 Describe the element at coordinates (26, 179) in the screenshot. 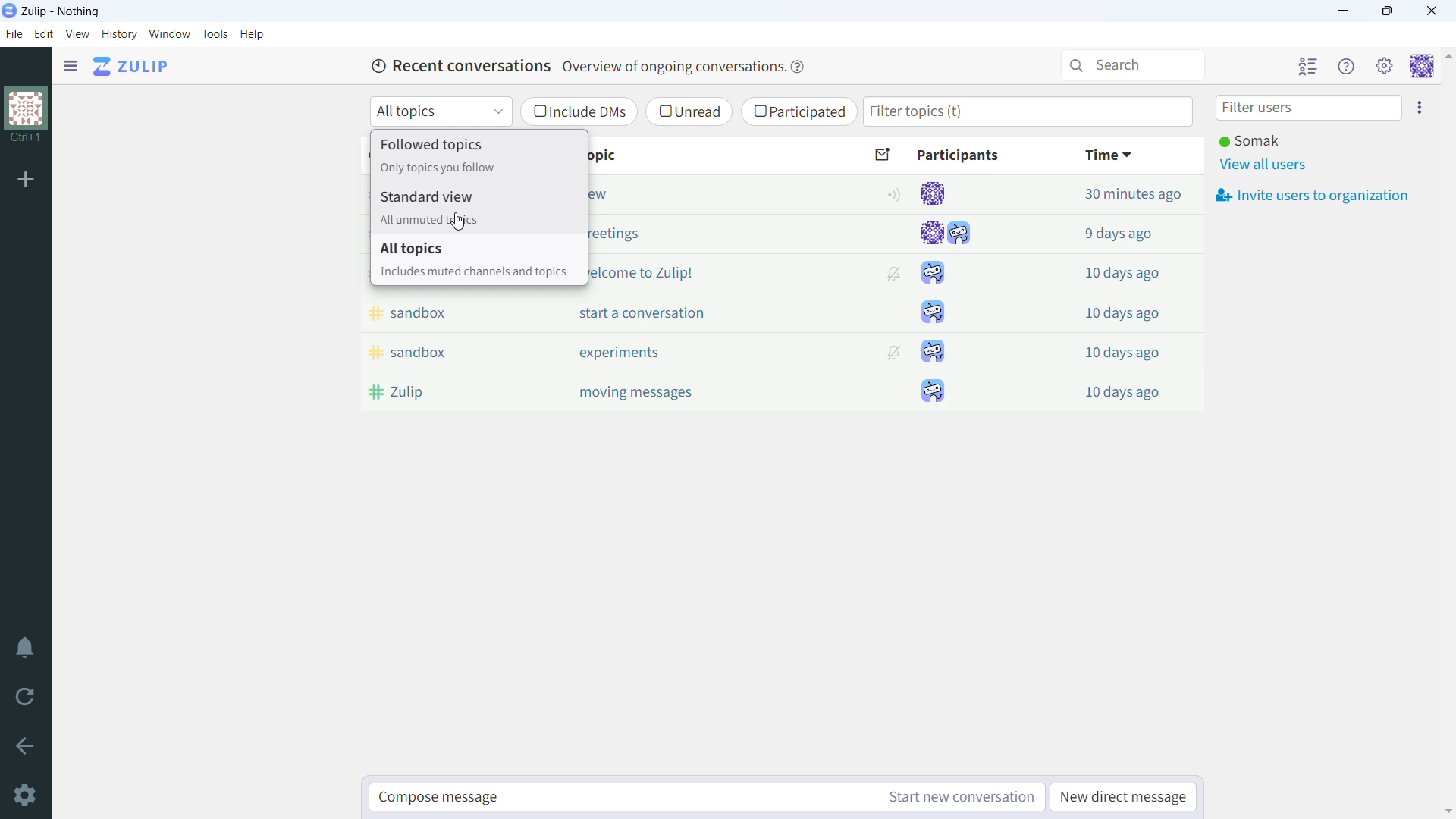

I see `add` at that location.